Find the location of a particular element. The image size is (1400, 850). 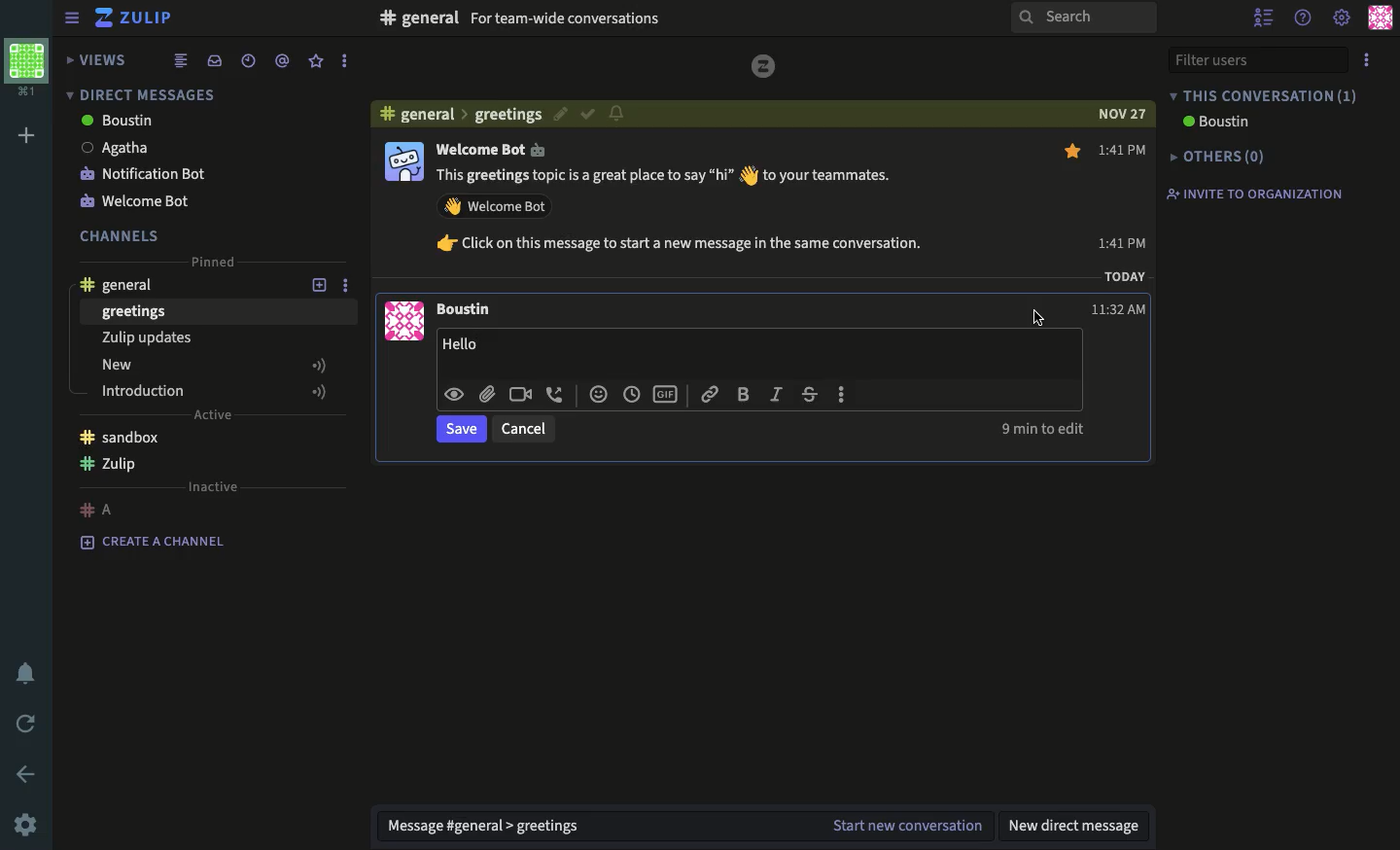

combined feed is located at coordinates (181, 61).